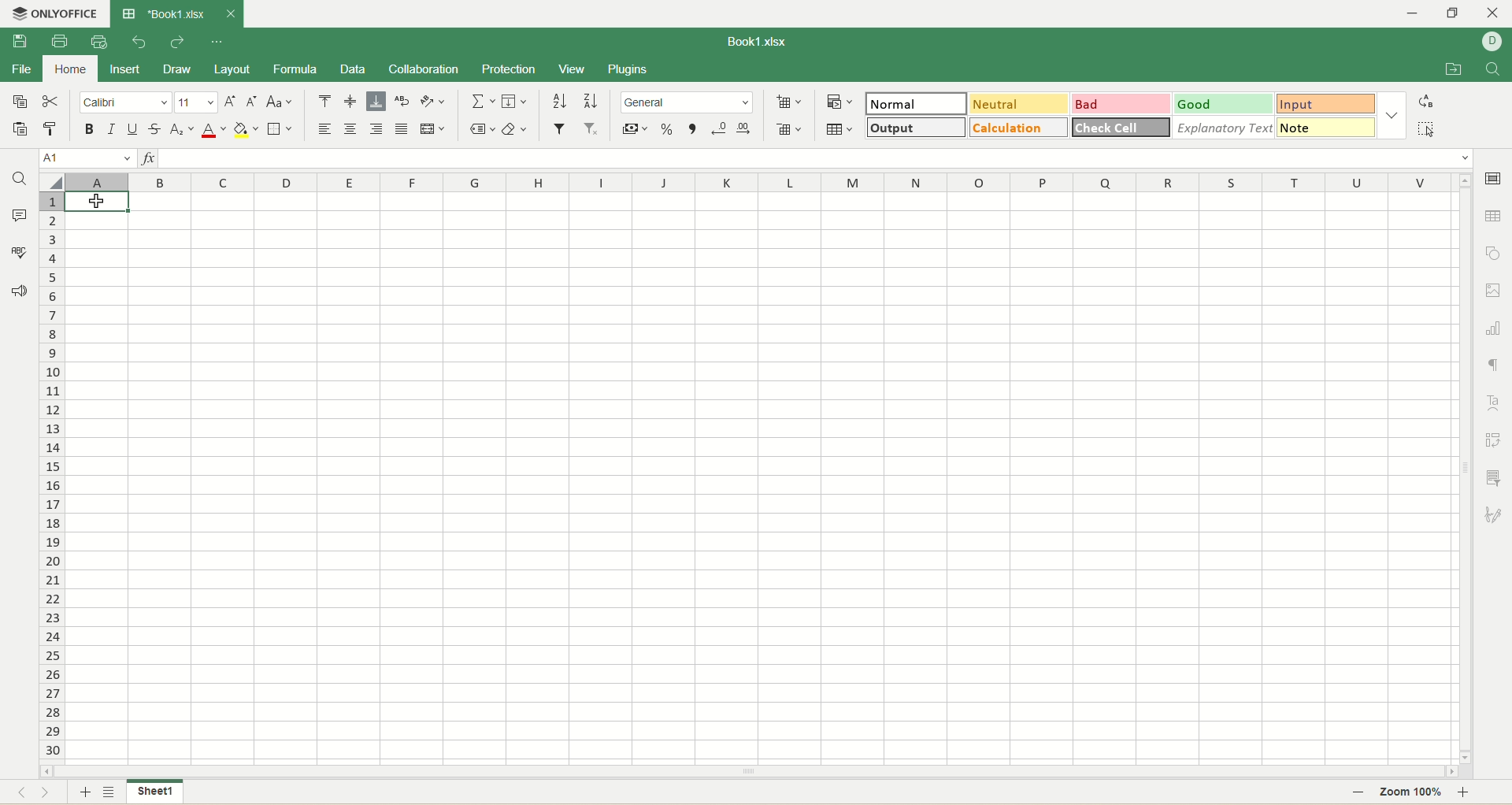  What do you see at coordinates (83, 793) in the screenshot?
I see `new sheet` at bounding box center [83, 793].